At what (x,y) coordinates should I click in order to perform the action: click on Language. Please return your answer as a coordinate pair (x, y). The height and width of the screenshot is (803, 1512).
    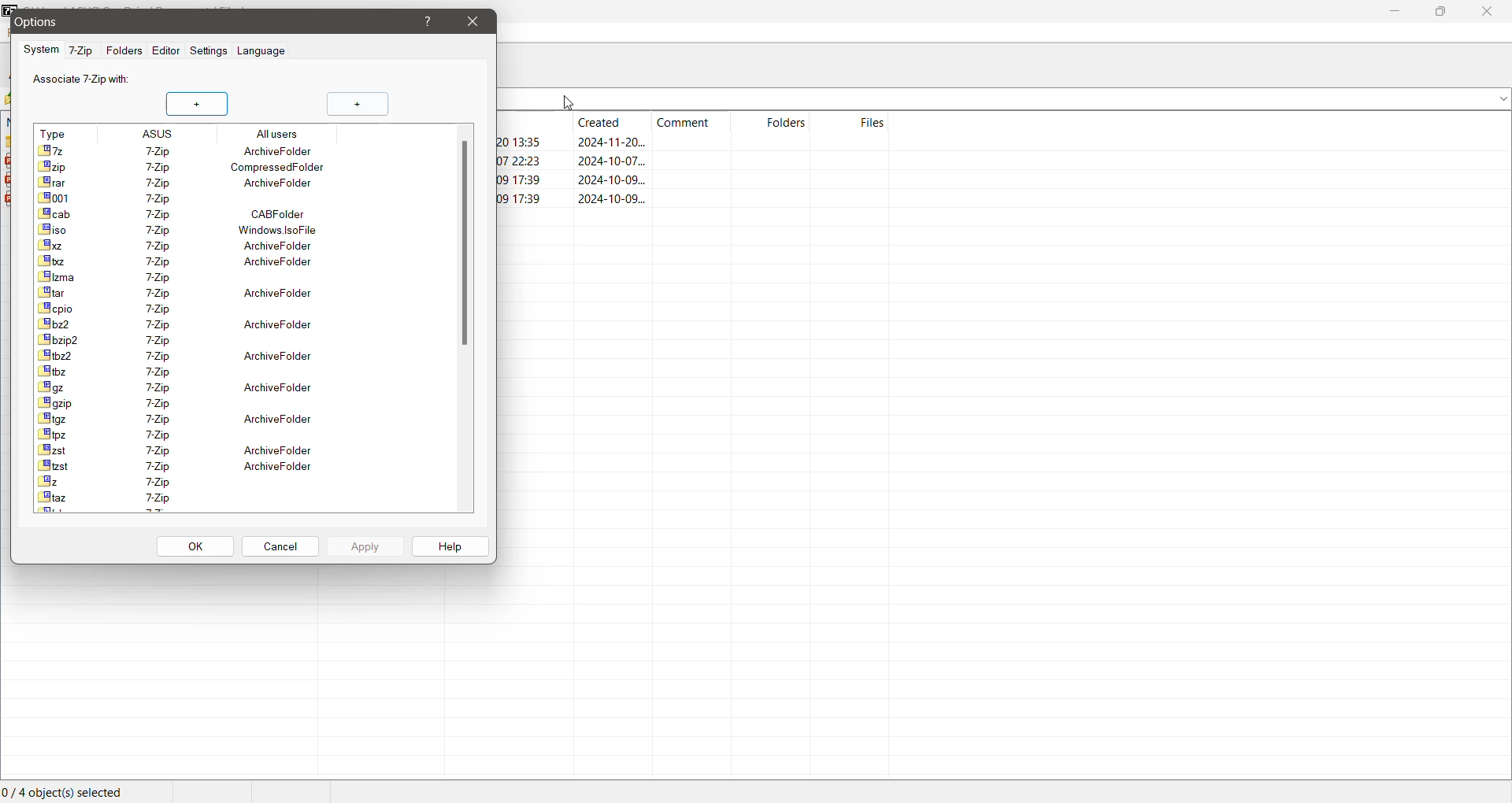
    Looking at the image, I should click on (263, 53).